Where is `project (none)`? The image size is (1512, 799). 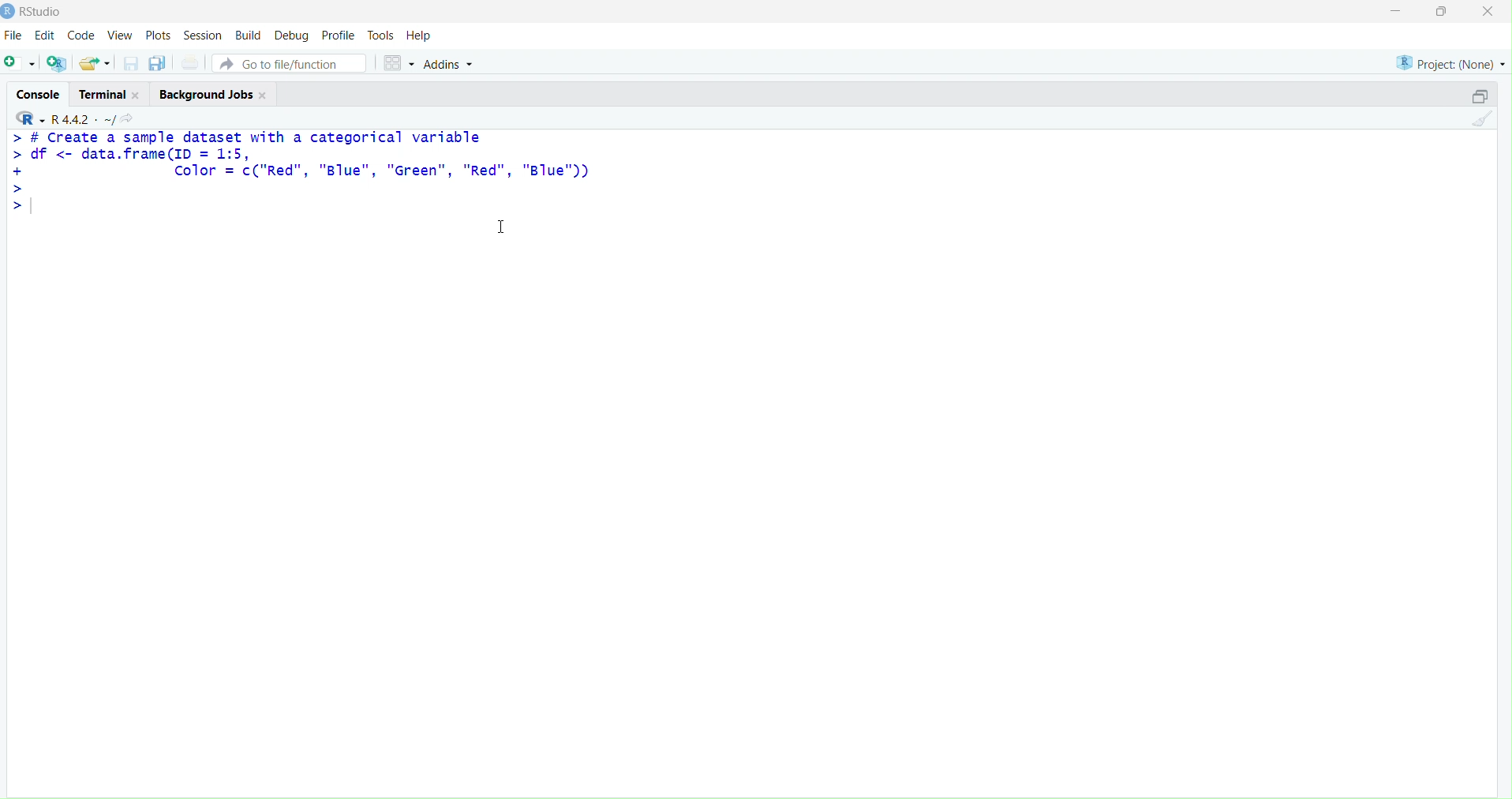 project (none) is located at coordinates (1451, 63).